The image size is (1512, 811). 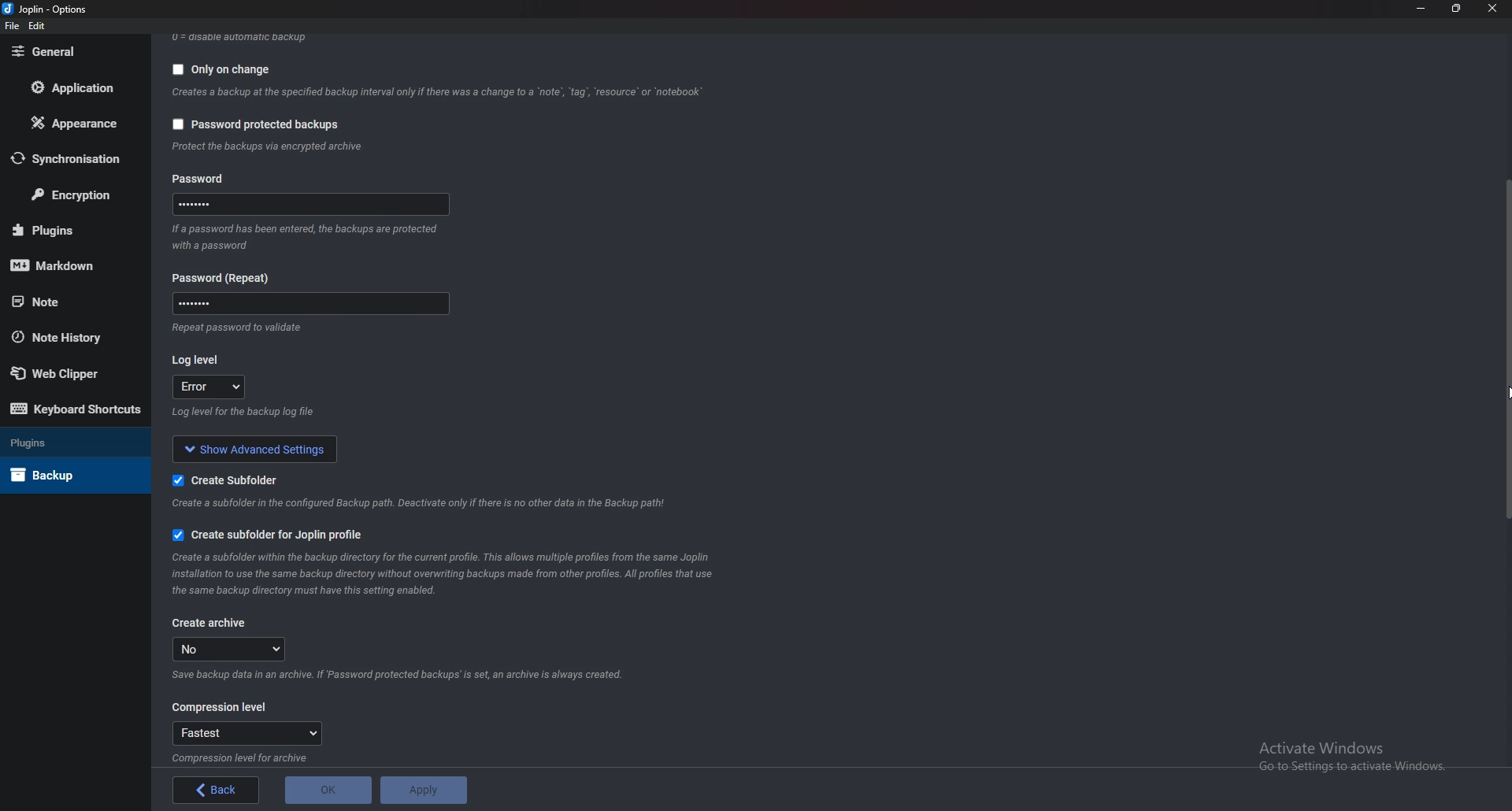 What do you see at coordinates (61, 374) in the screenshot?
I see `Web Clipper` at bounding box center [61, 374].